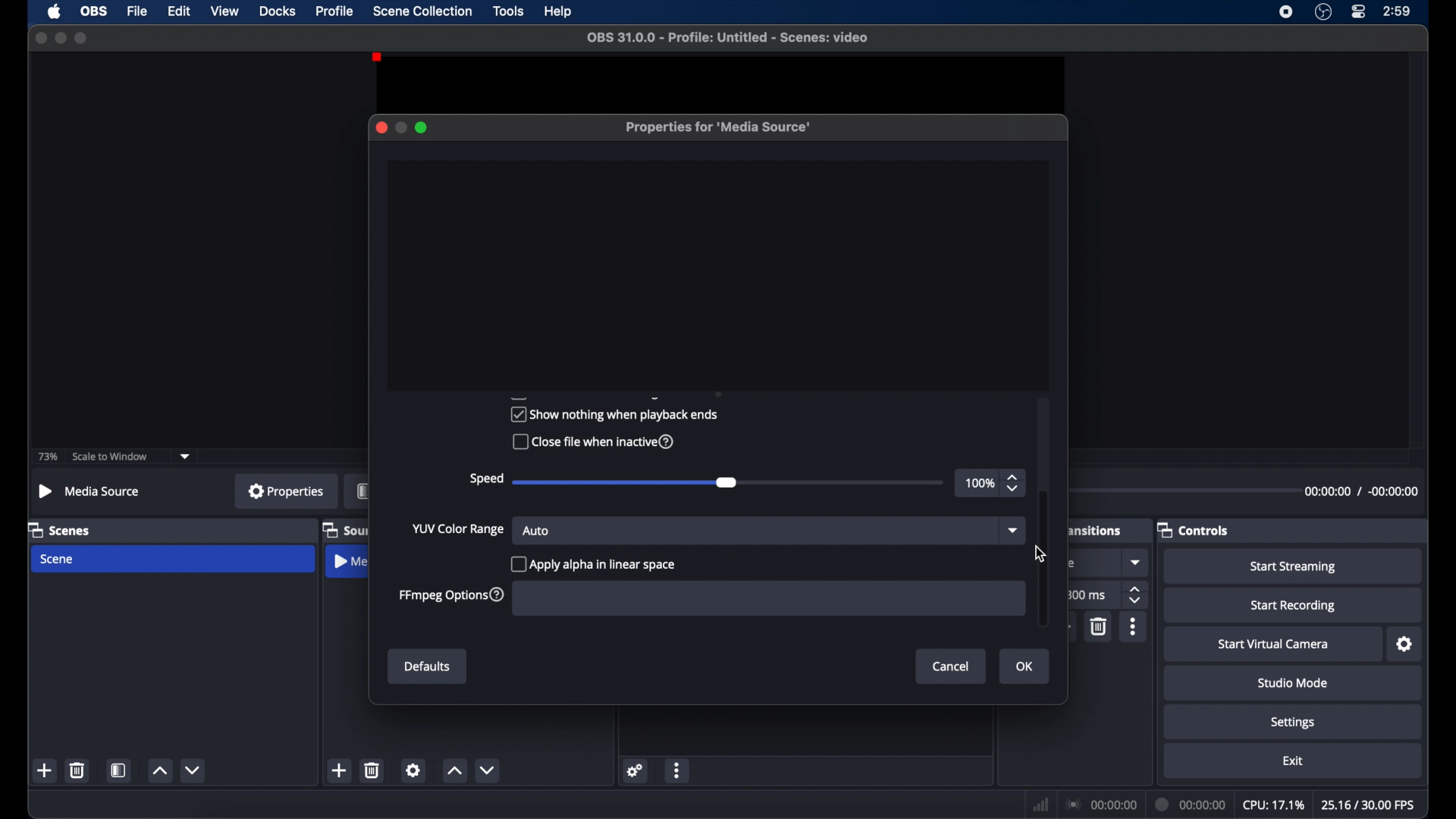 Image resolution: width=1456 pixels, height=819 pixels. What do you see at coordinates (1287, 12) in the screenshot?
I see `screen recorder icon` at bounding box center [1287, 12].